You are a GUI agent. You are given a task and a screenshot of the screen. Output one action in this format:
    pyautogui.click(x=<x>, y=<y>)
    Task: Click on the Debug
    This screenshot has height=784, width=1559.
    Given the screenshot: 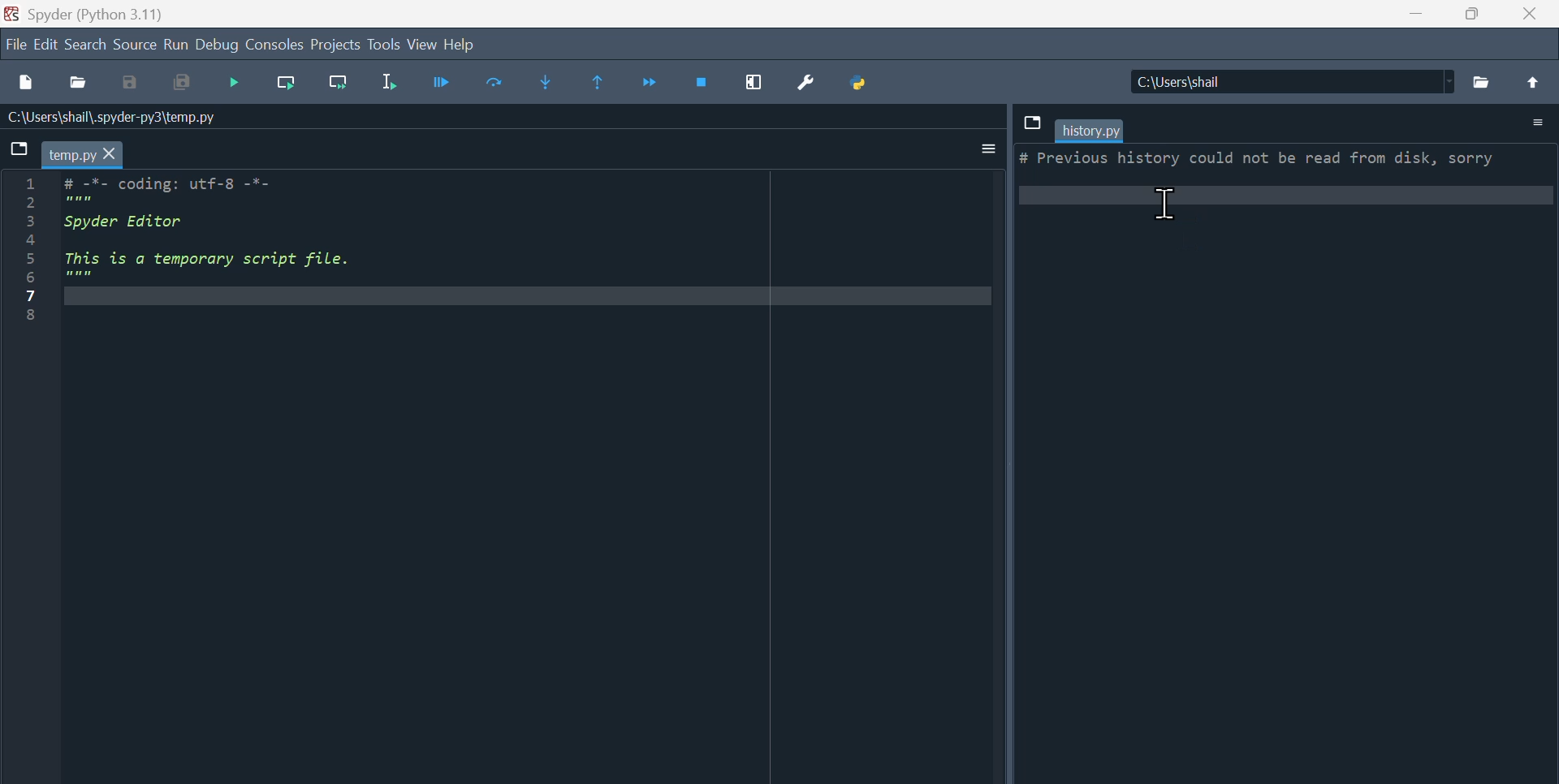 What is the action you would take?
    pyautogui.click(x=218, y=45)
    